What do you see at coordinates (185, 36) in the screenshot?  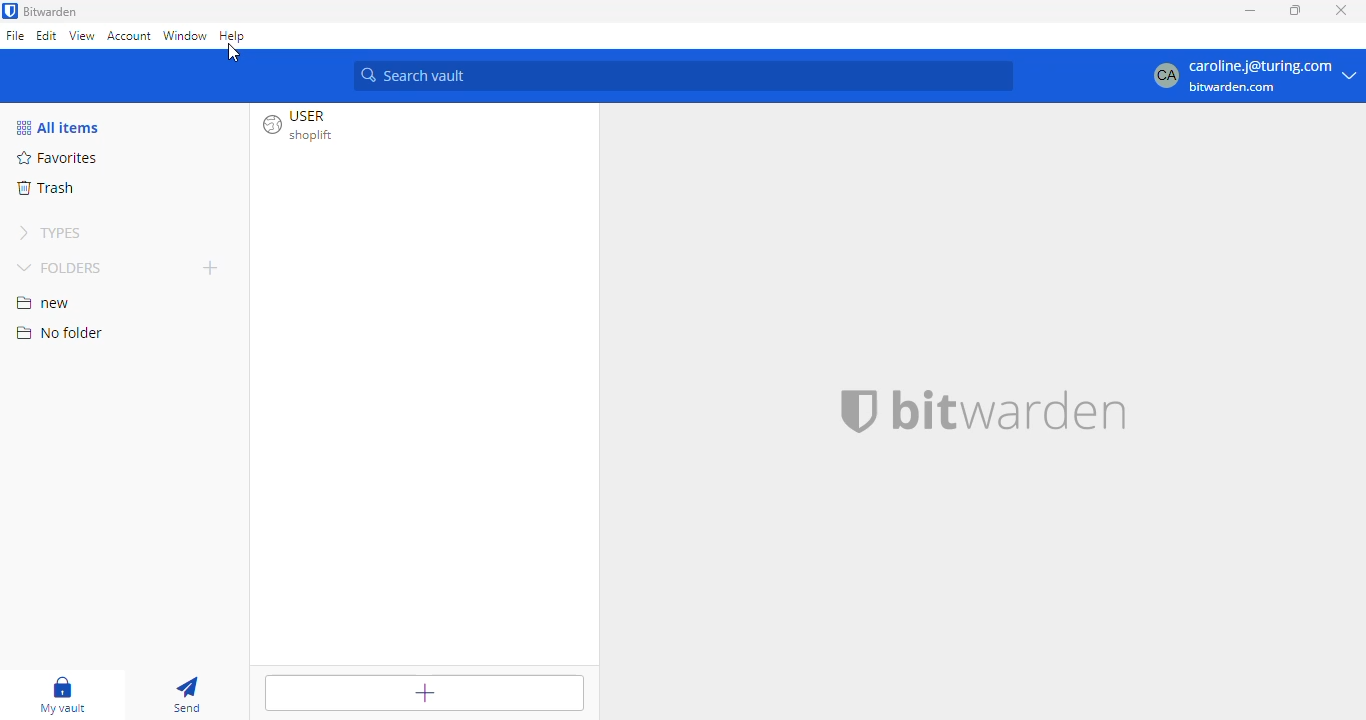 I see `window` at bounding box center [185, 36].